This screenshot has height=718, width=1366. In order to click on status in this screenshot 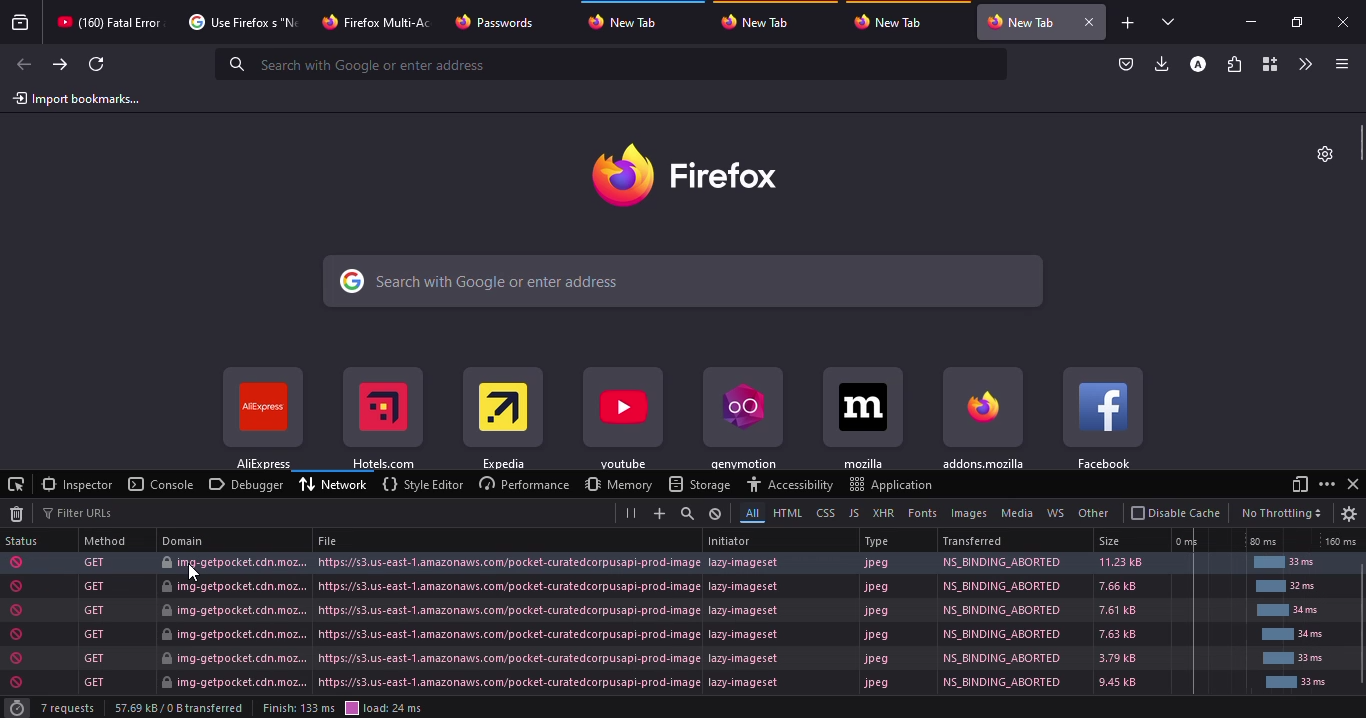, I will do `click(666, 587)`.